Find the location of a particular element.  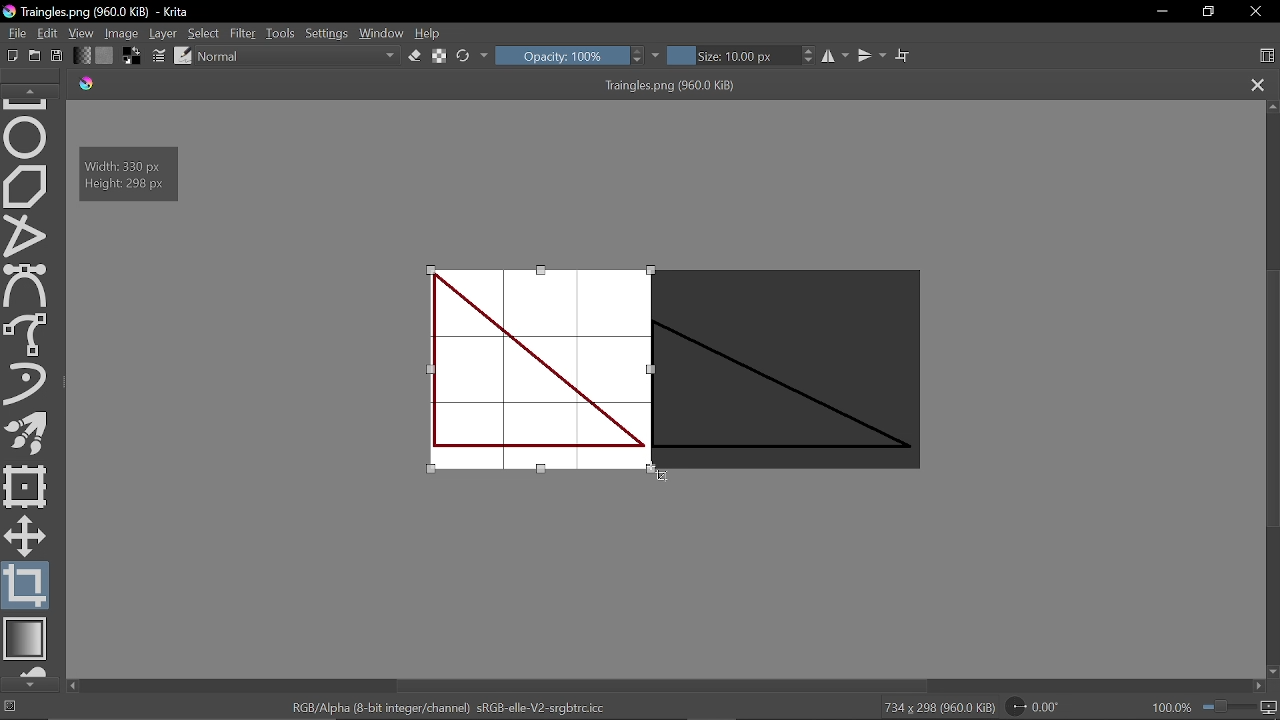

Freehand select tool is located at coordinates (28, 333).